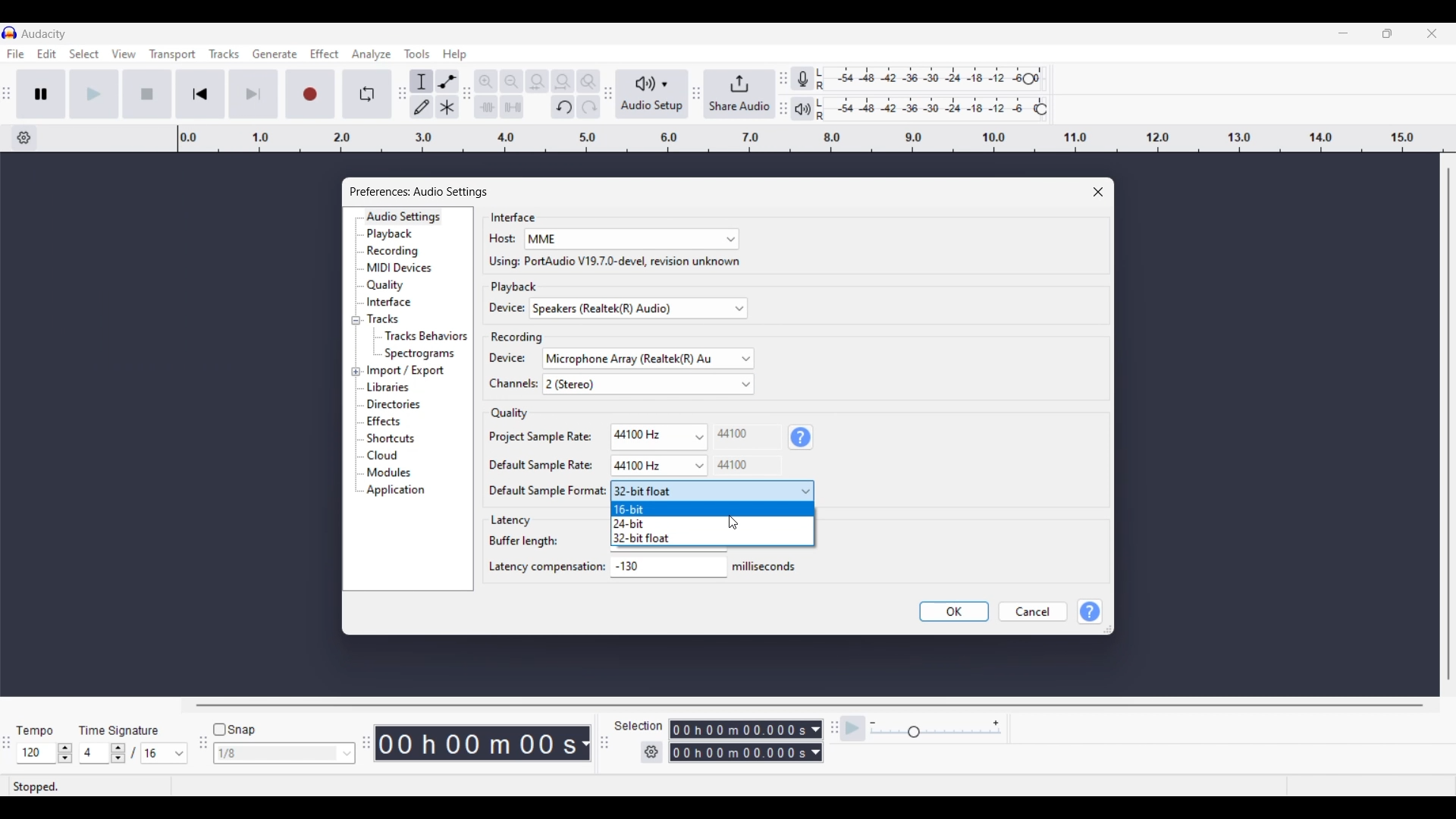  What do you see at coordinates (427, 353) in the screenshot?
I see `Spectrograms` at bounding box center [427, 353].